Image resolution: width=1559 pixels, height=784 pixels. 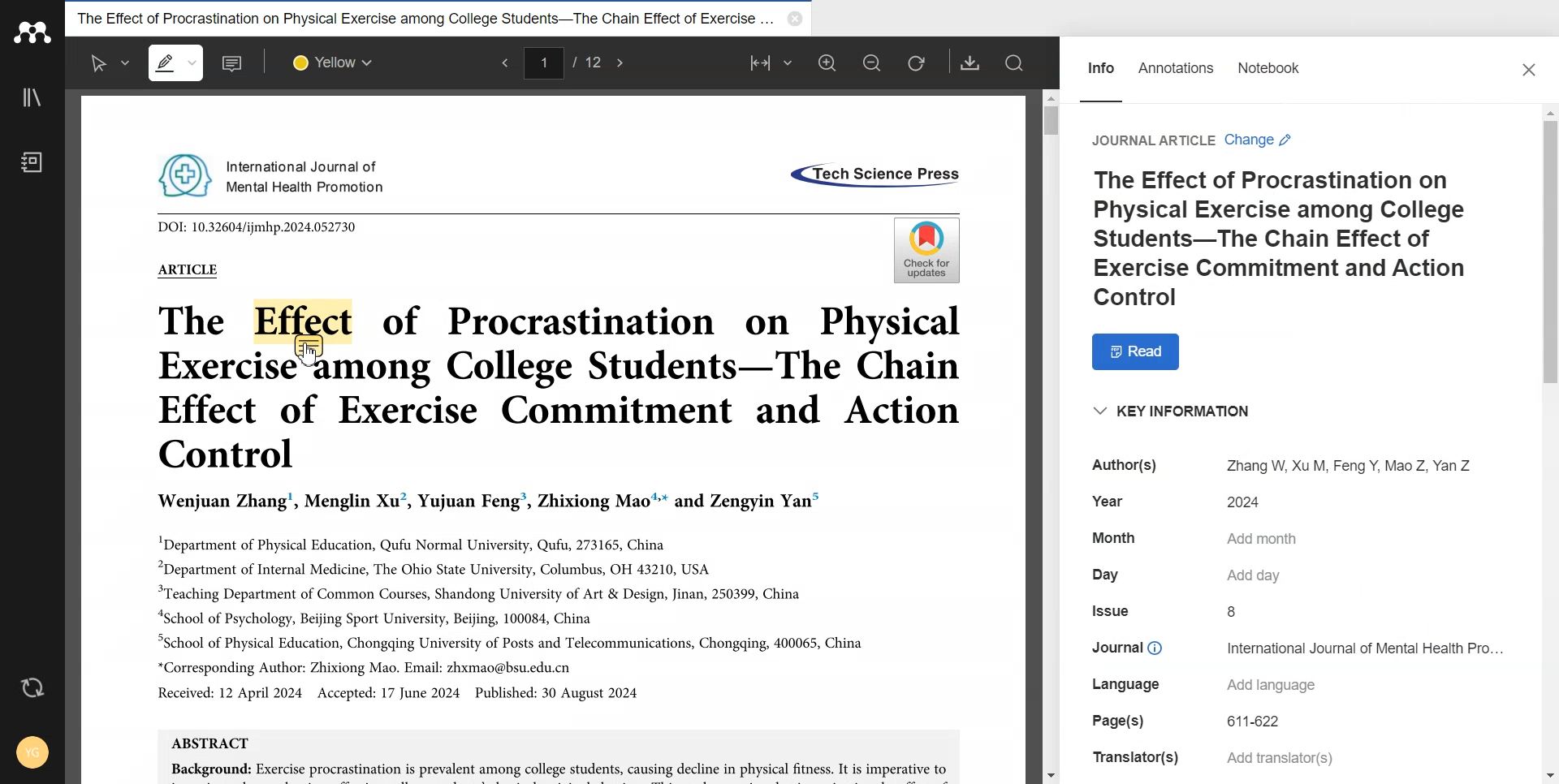 What do you see at coordinates (29, 748) in the screenshot?
I see `Account` at bounding box center [29, 748].